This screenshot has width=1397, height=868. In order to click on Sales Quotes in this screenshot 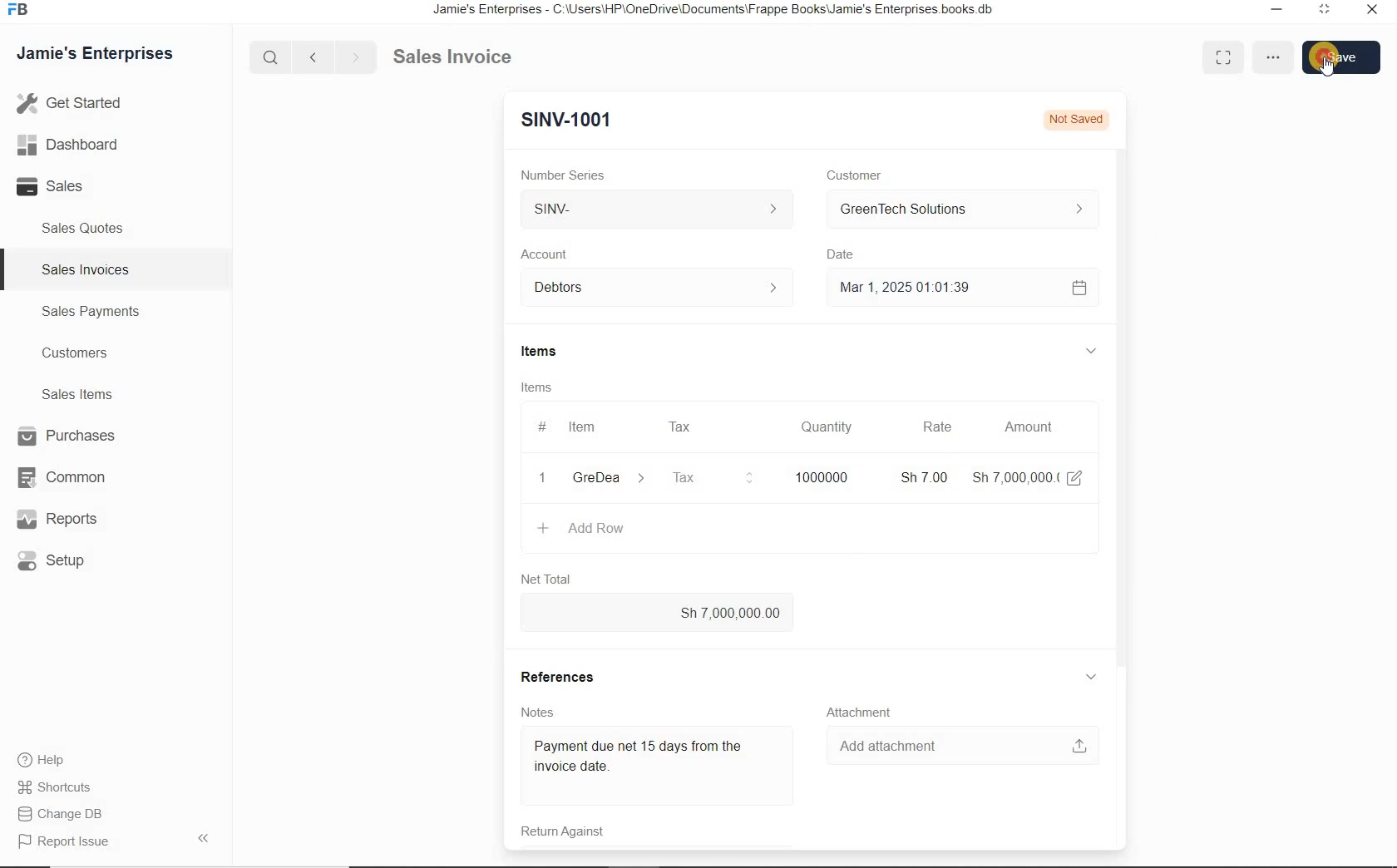, I will do `click(84, 231)`.